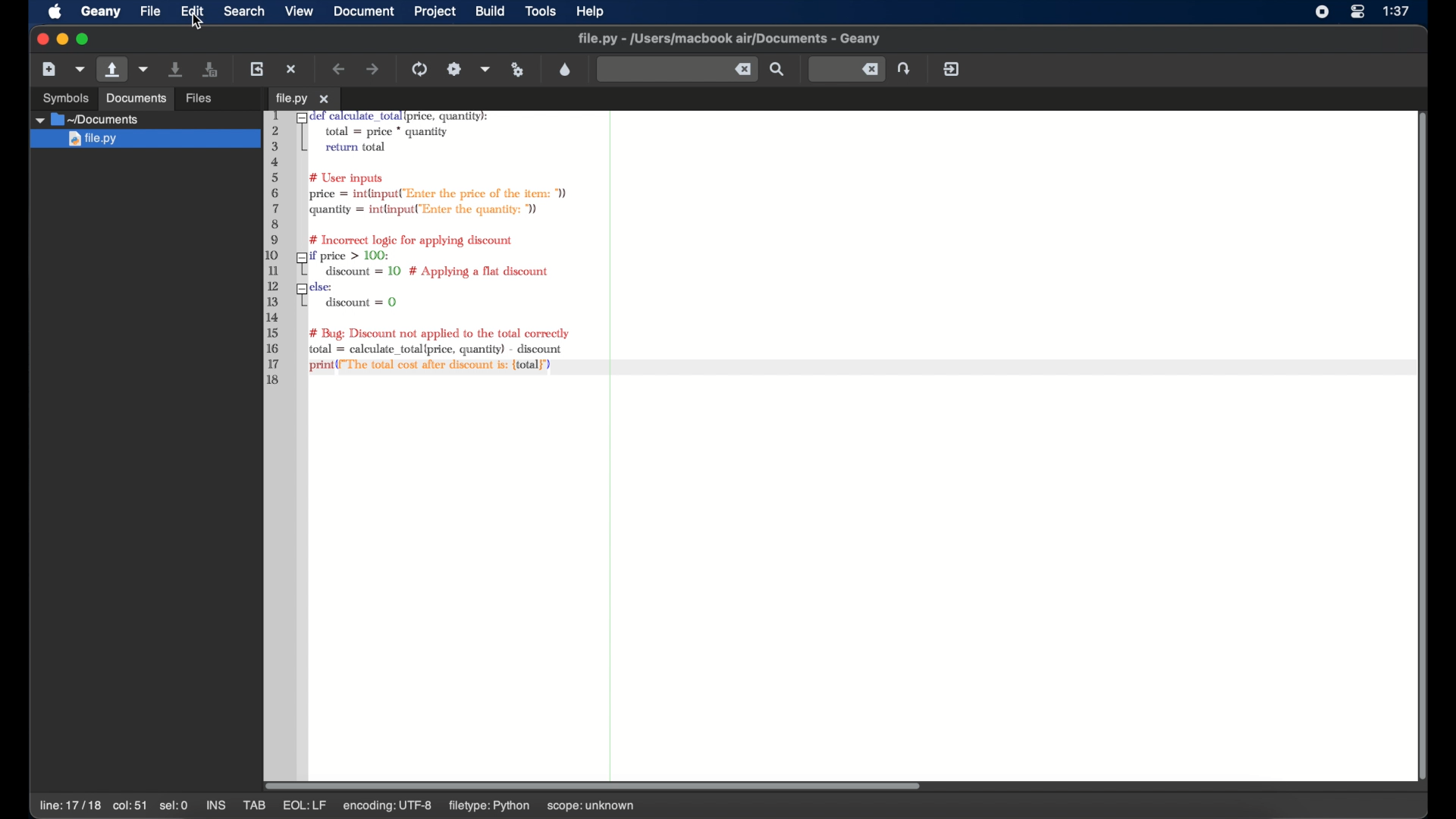 The image size is (1456, 819). I want to click on screen recorder icons, so click(1321, 12).